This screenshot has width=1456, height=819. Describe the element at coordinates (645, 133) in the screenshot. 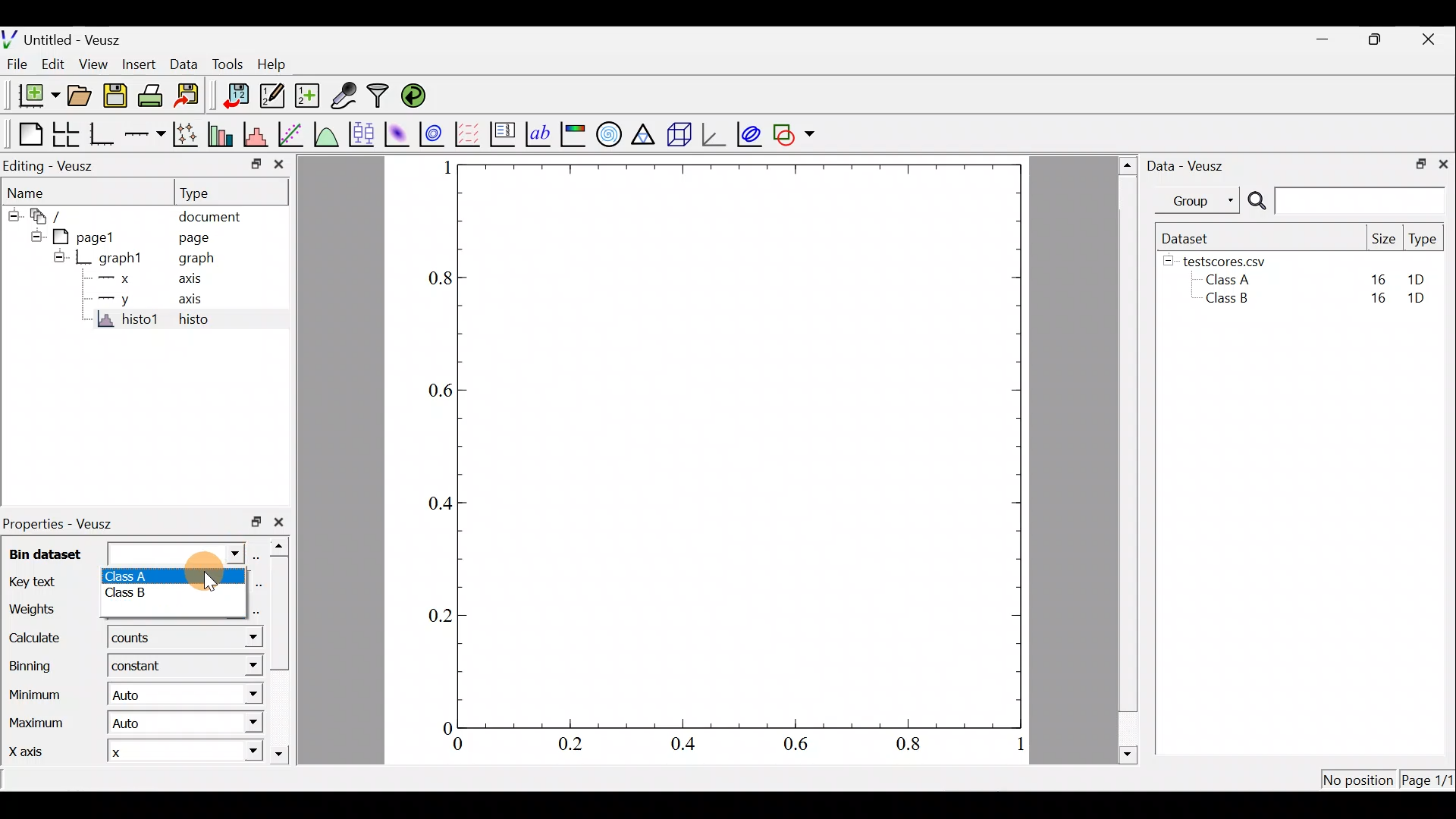

I see `Ternary graph` at that location.